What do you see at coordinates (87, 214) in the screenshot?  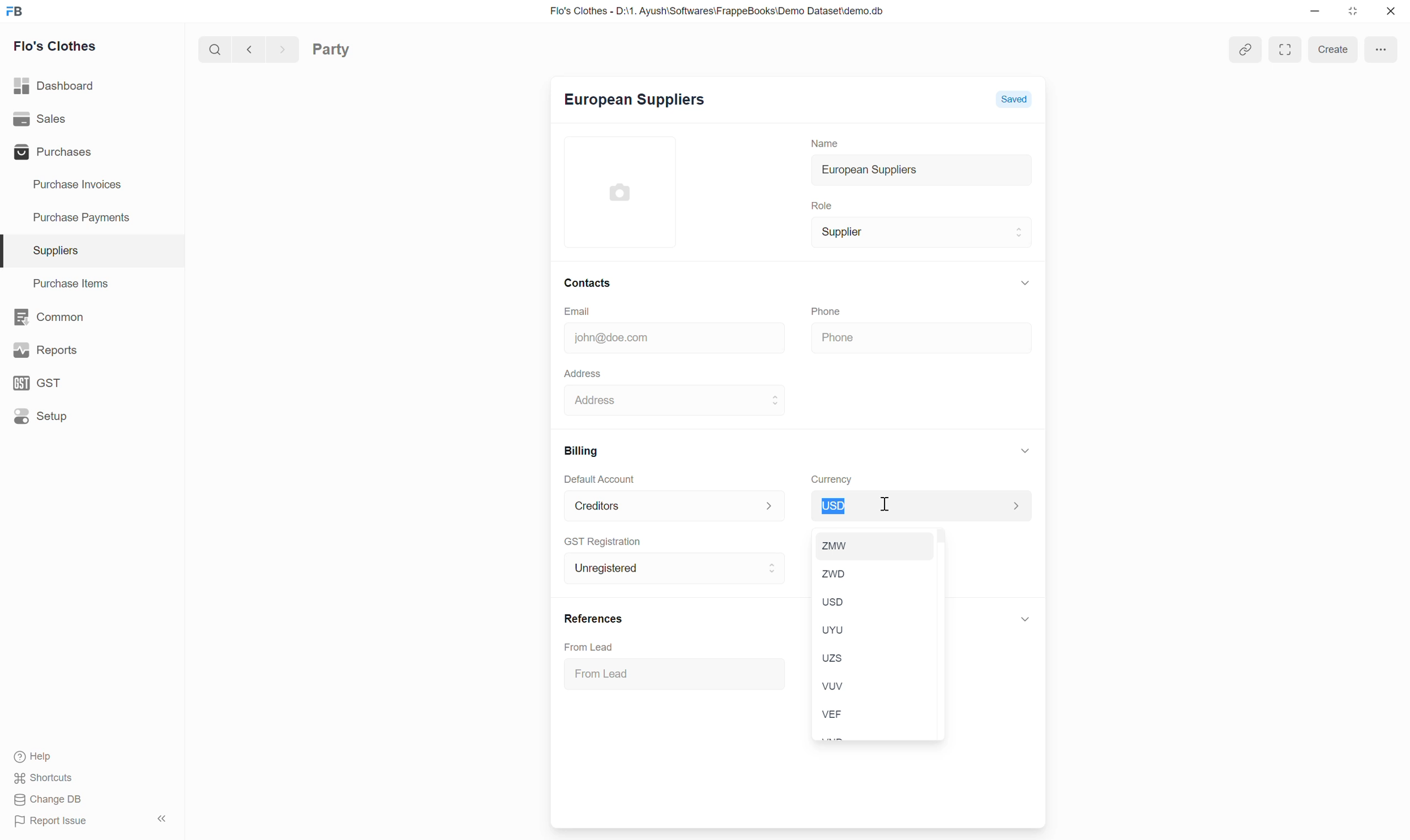 I see `Purchase Payments` at bounding box center [87, 214].